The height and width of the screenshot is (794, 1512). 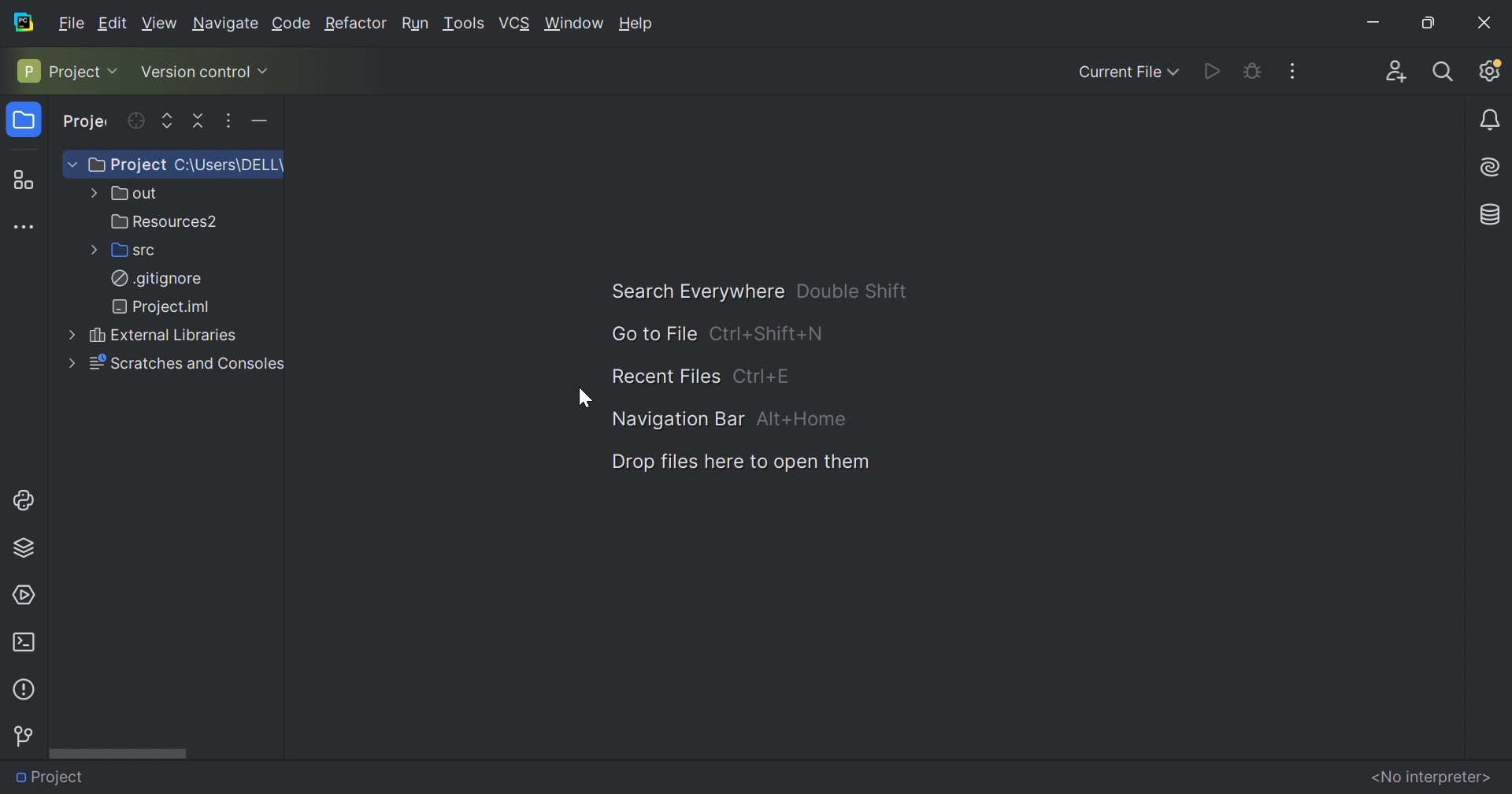 I want to click on ALT+Home, so click(x=799, y=417).